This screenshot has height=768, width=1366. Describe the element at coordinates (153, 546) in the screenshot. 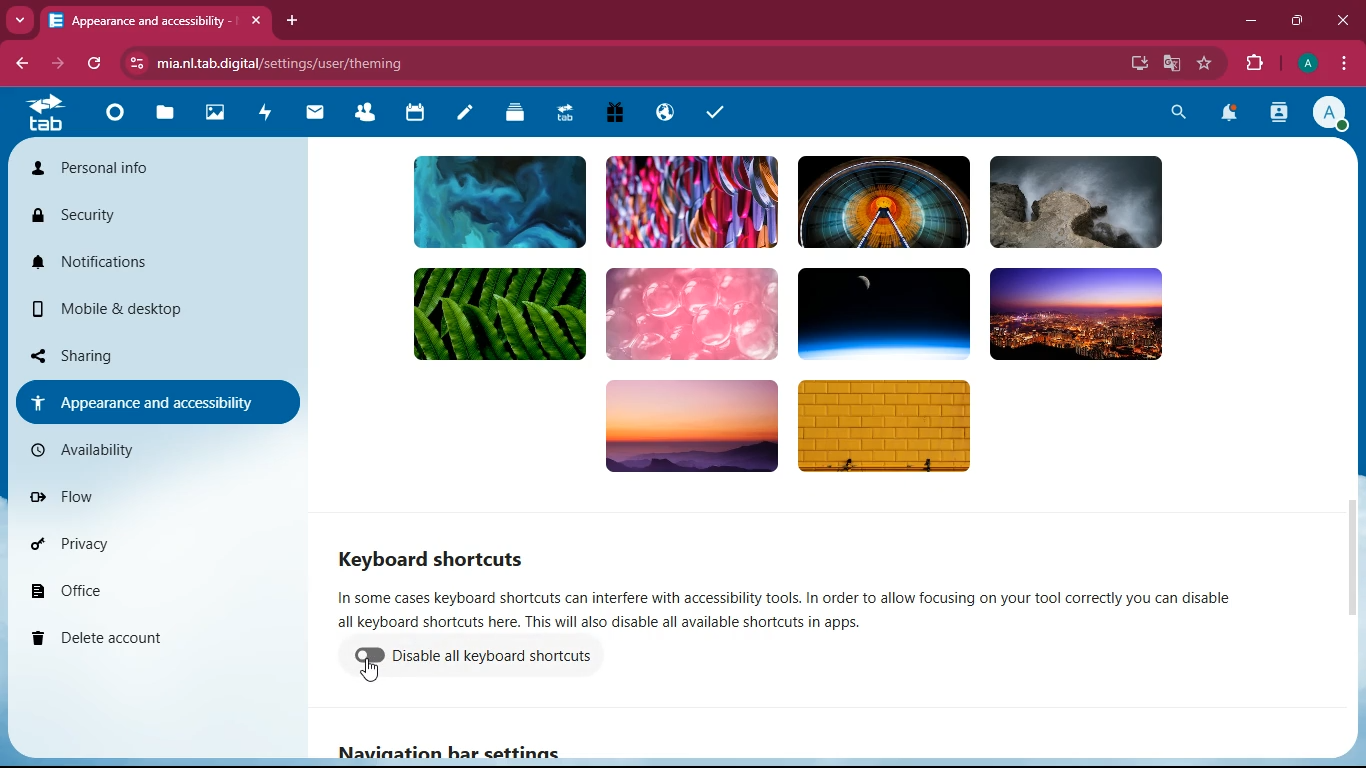

I see `privacy` at that location.